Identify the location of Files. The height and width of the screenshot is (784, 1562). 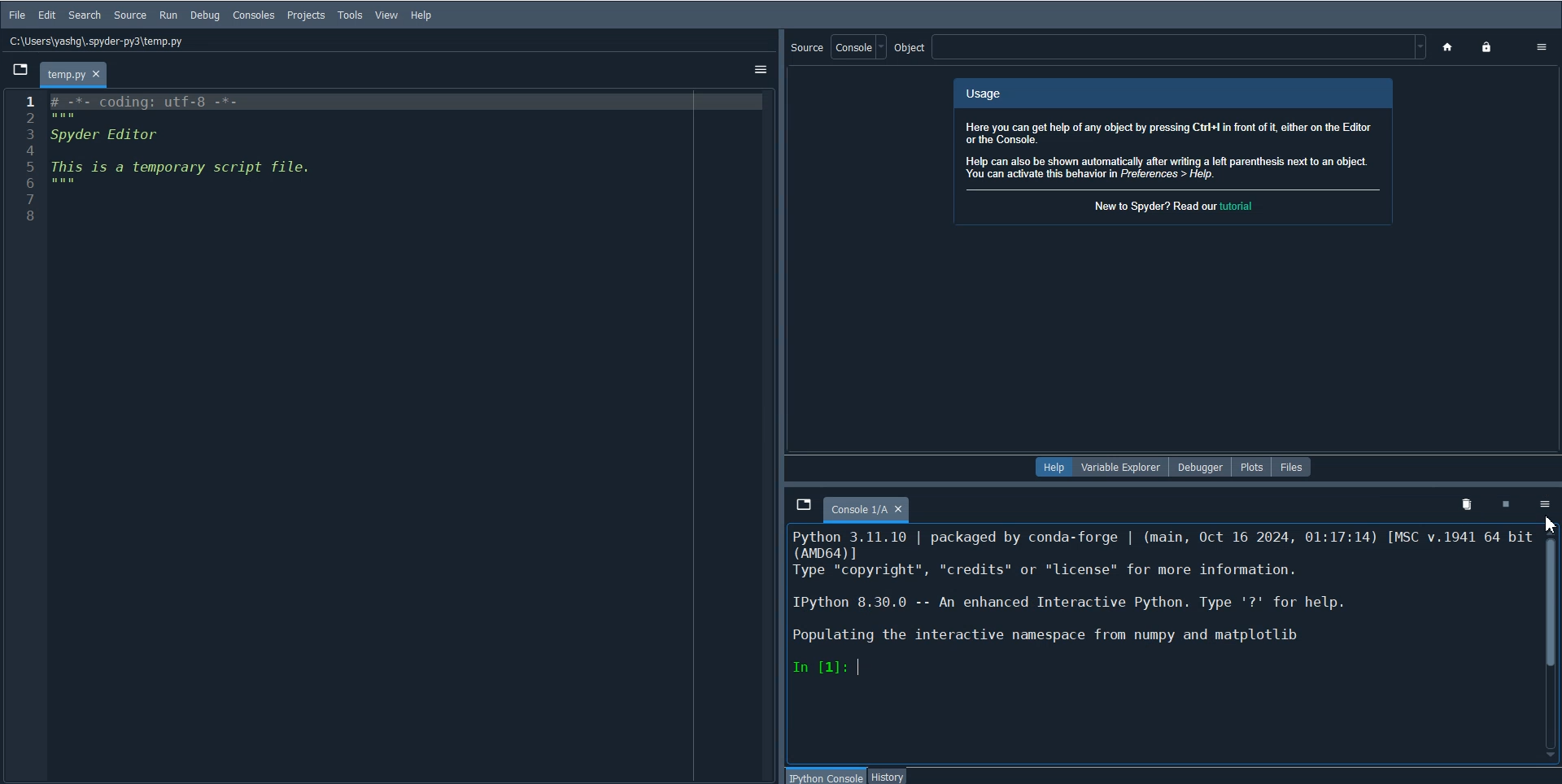
(1292, 467).